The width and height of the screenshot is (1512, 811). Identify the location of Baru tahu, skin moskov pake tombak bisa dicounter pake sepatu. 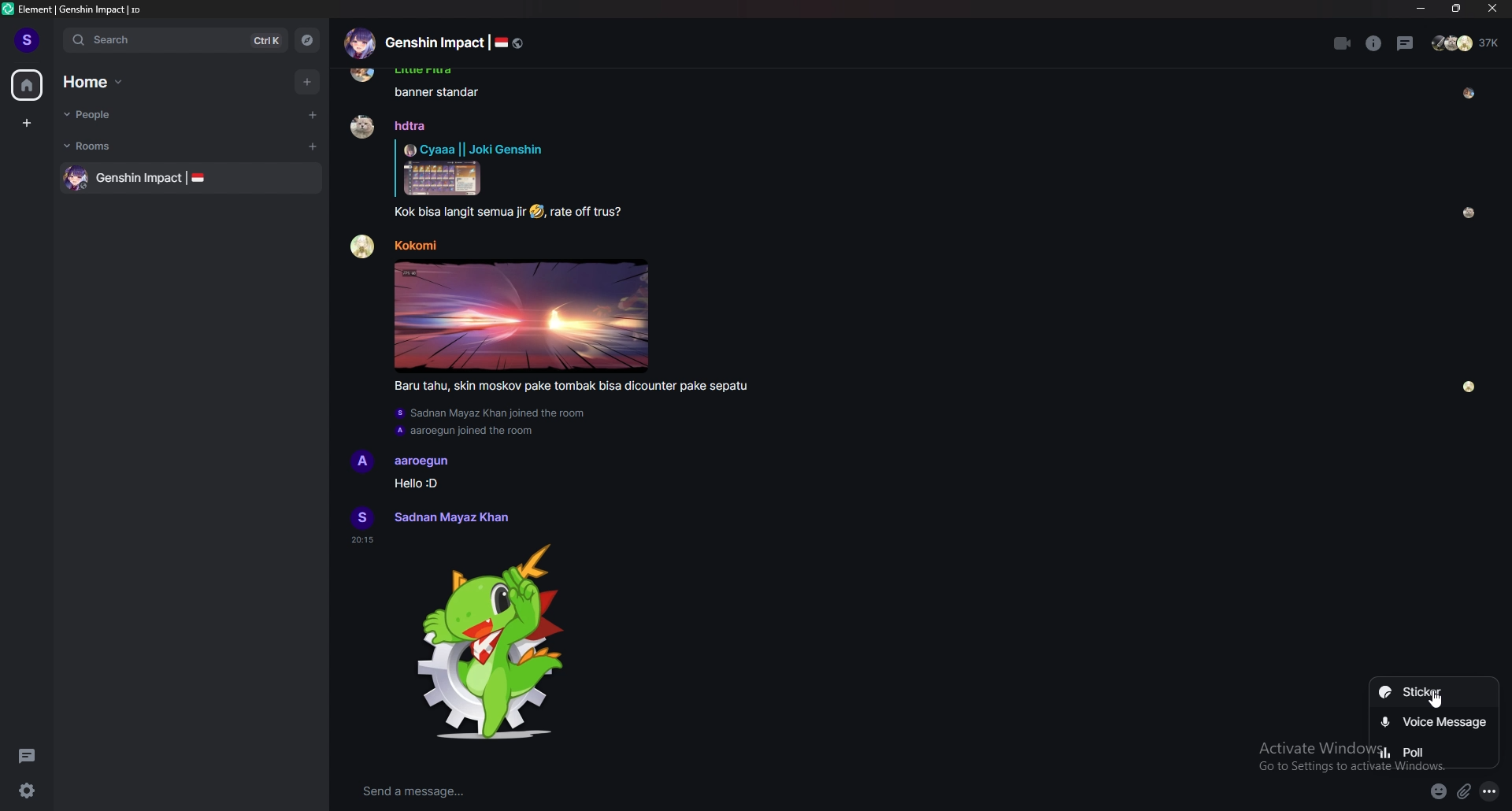
(570, 387).